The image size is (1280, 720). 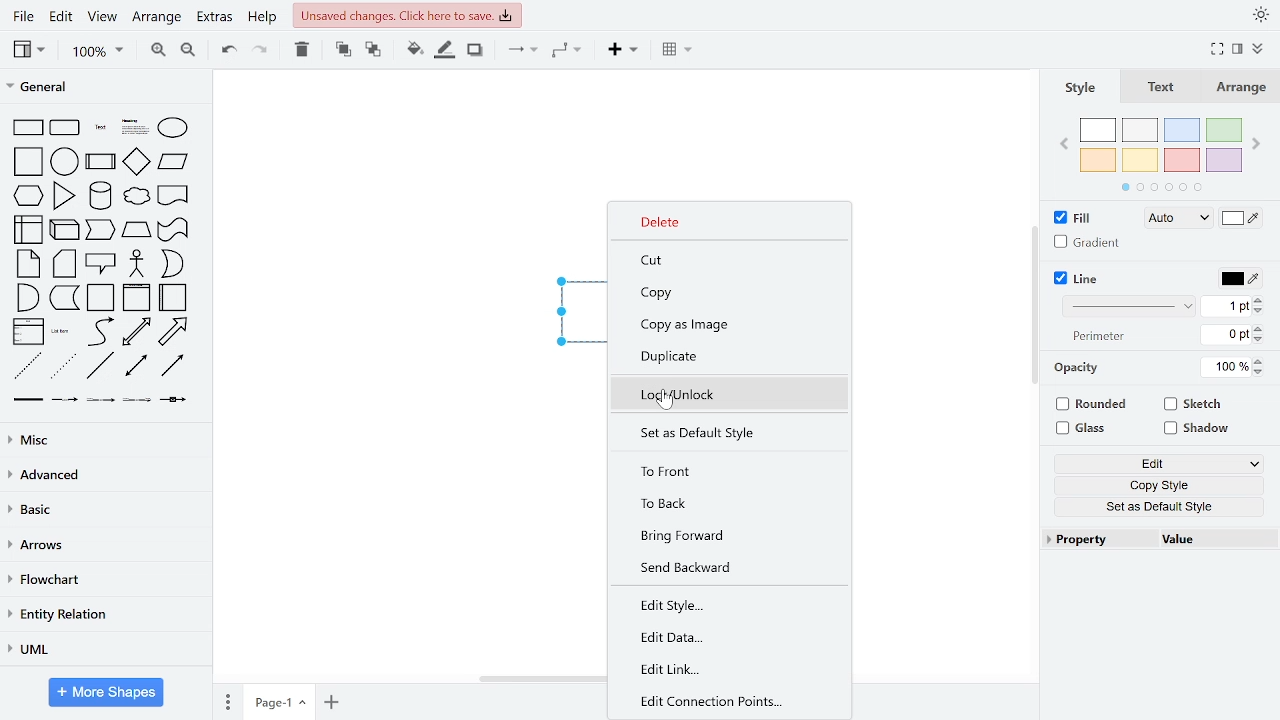 I want to click on rectangle, so click(x=26, y=128).